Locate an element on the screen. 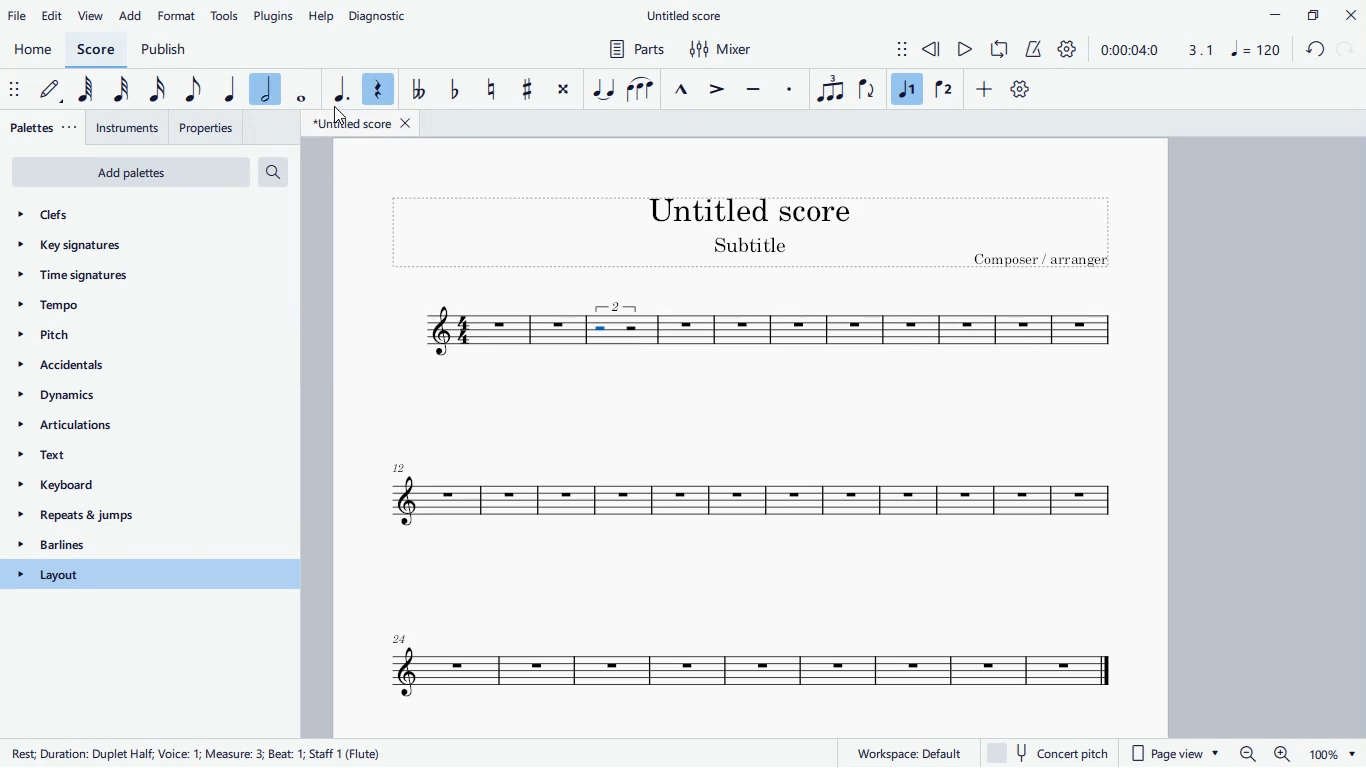 The height and width of the screenshot is (768, 1366). palettes is located at coordinates (45, 129).